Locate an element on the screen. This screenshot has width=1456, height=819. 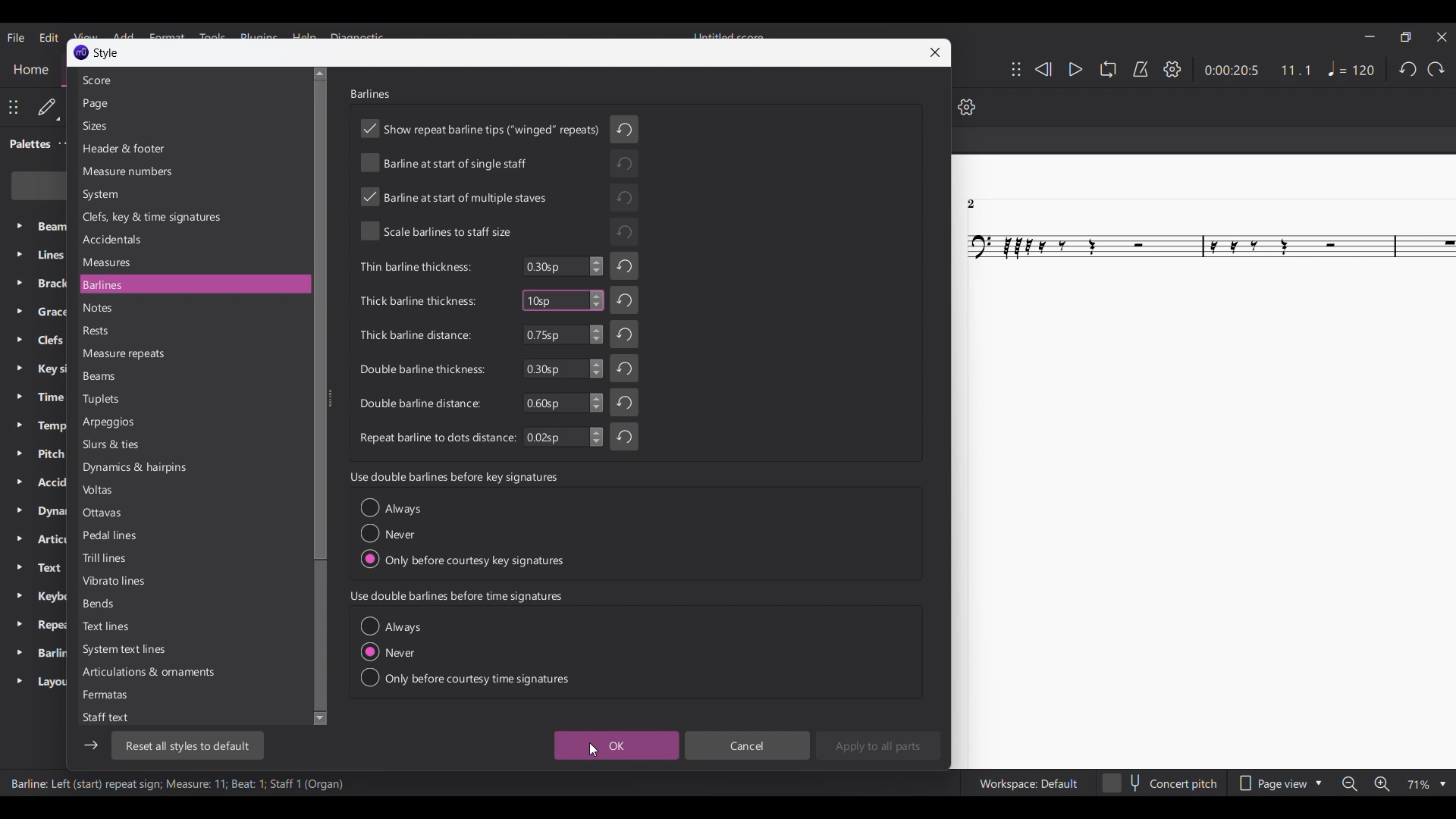
Toggle options under current section is located at coordinates (463, 533).